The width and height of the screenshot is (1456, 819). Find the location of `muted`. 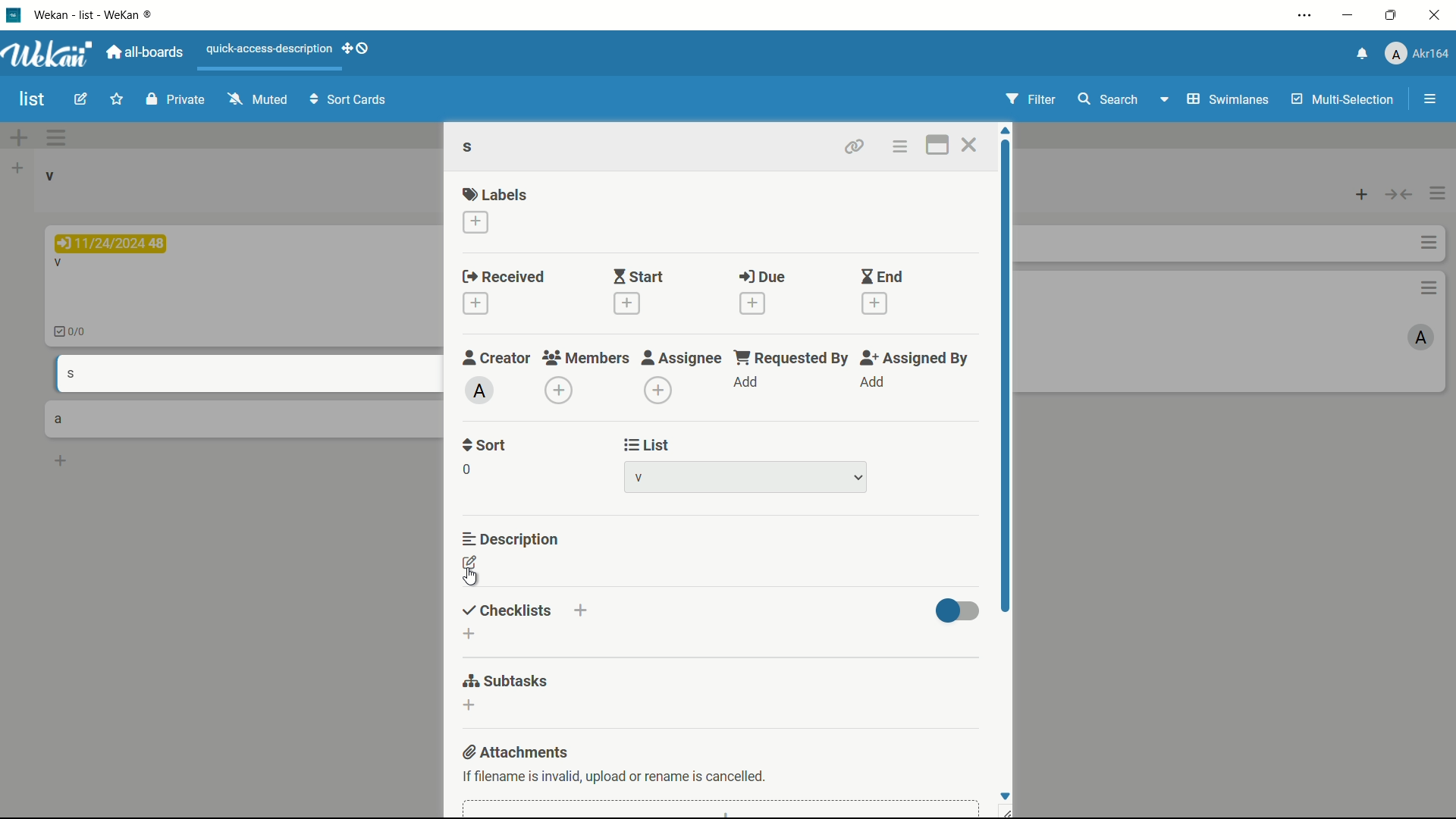

muted is located at coordinates (257, 99).